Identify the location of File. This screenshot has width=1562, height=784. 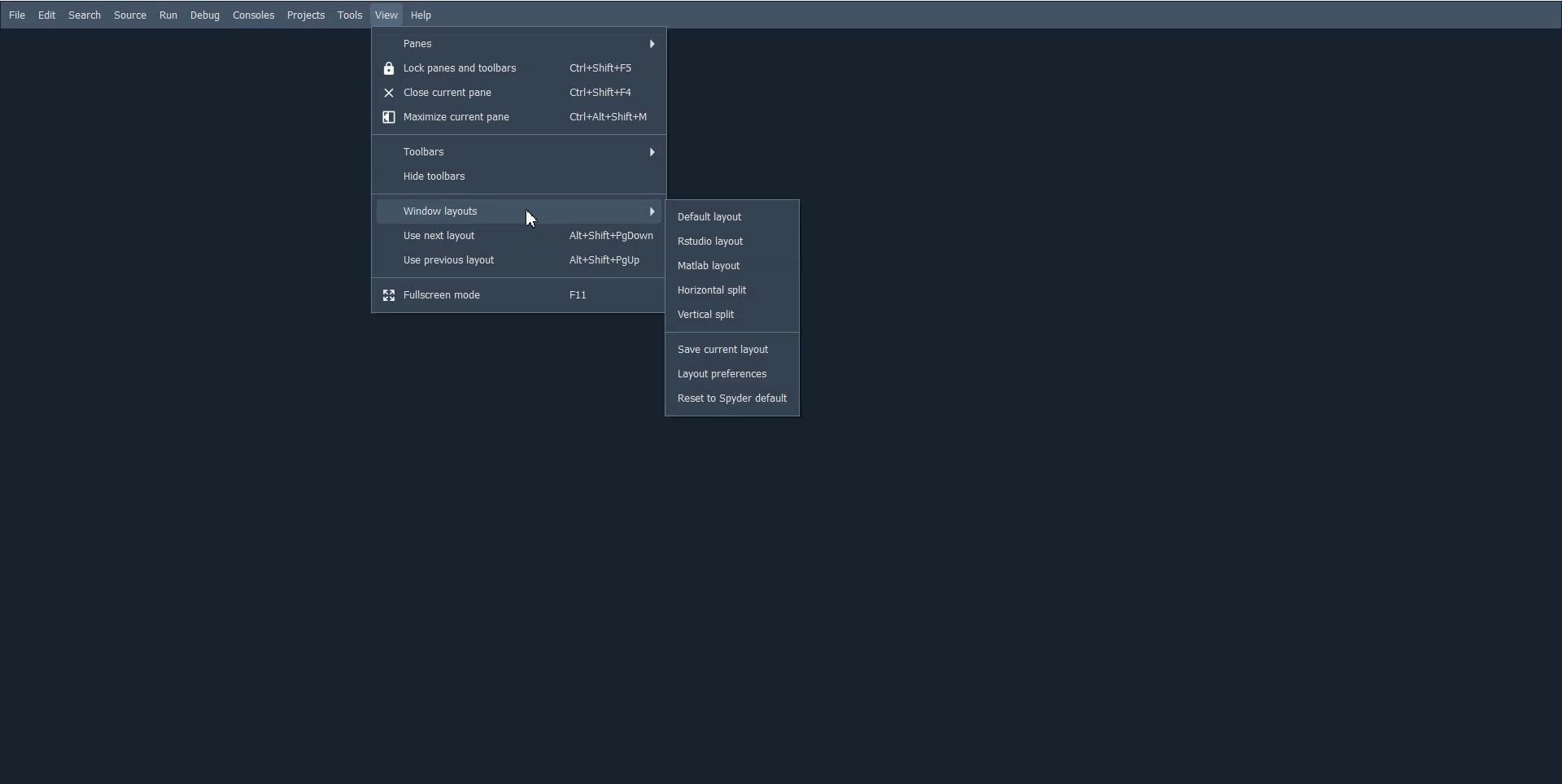
(18, 15).